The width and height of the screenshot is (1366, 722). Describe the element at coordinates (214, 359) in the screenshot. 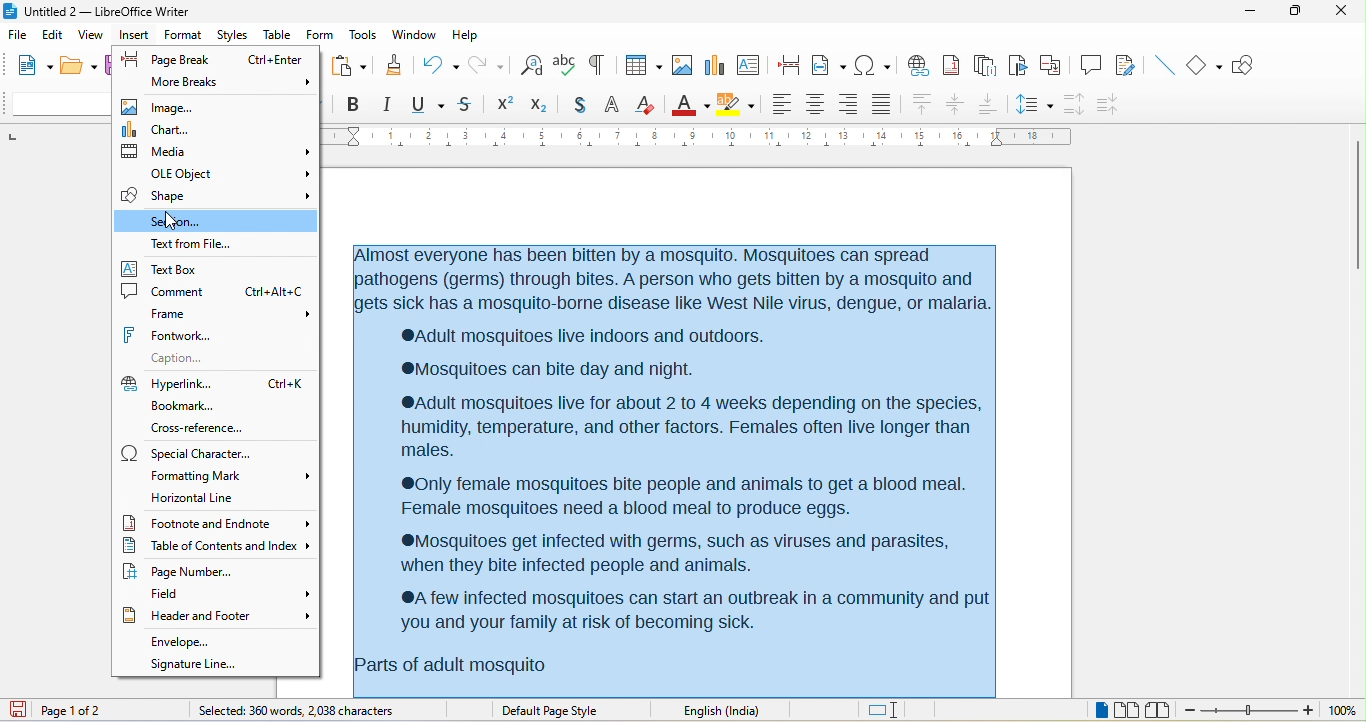

I see `caption` at that location.